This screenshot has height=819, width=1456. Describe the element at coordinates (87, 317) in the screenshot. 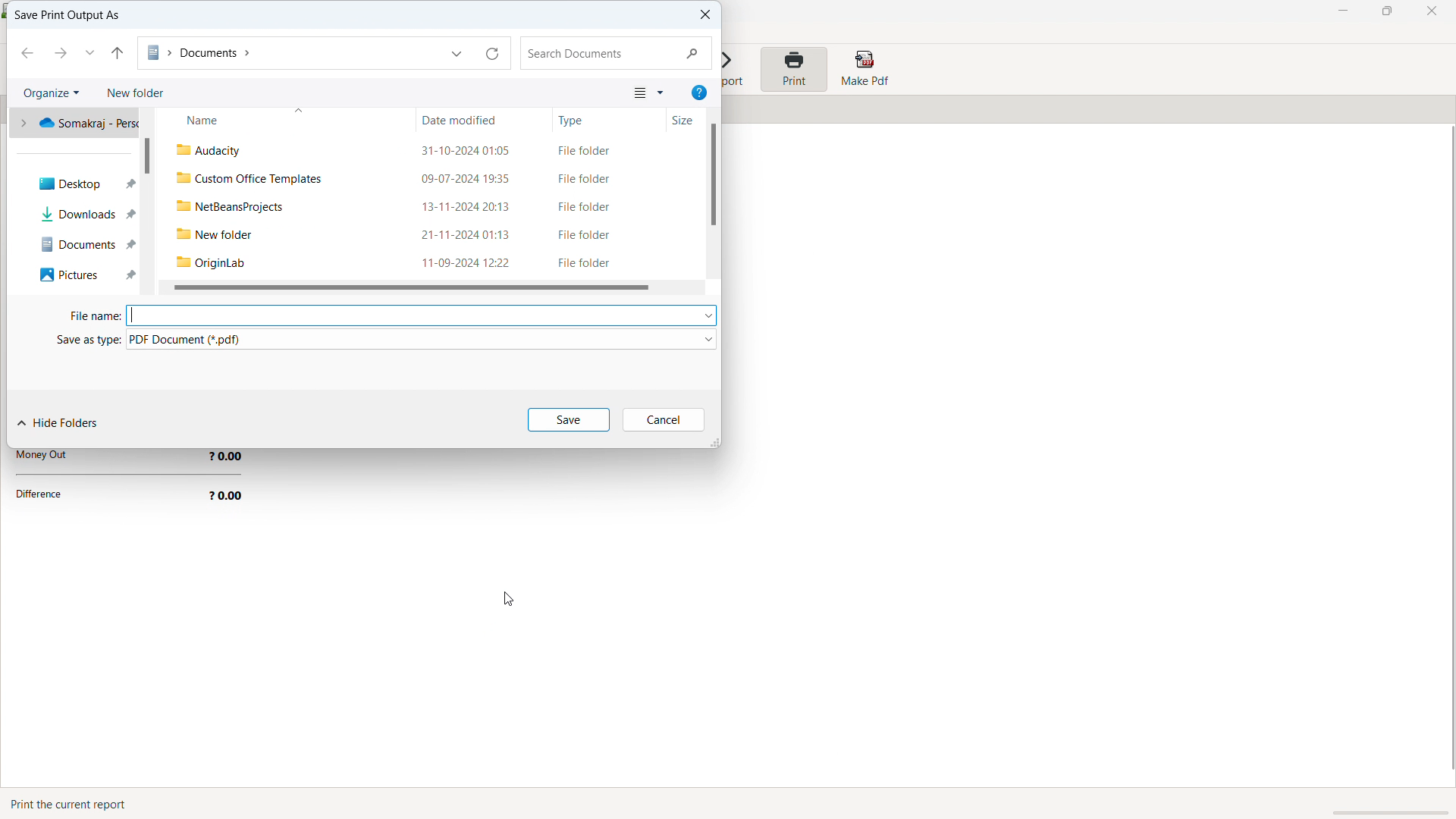

I see `File name` at that location.